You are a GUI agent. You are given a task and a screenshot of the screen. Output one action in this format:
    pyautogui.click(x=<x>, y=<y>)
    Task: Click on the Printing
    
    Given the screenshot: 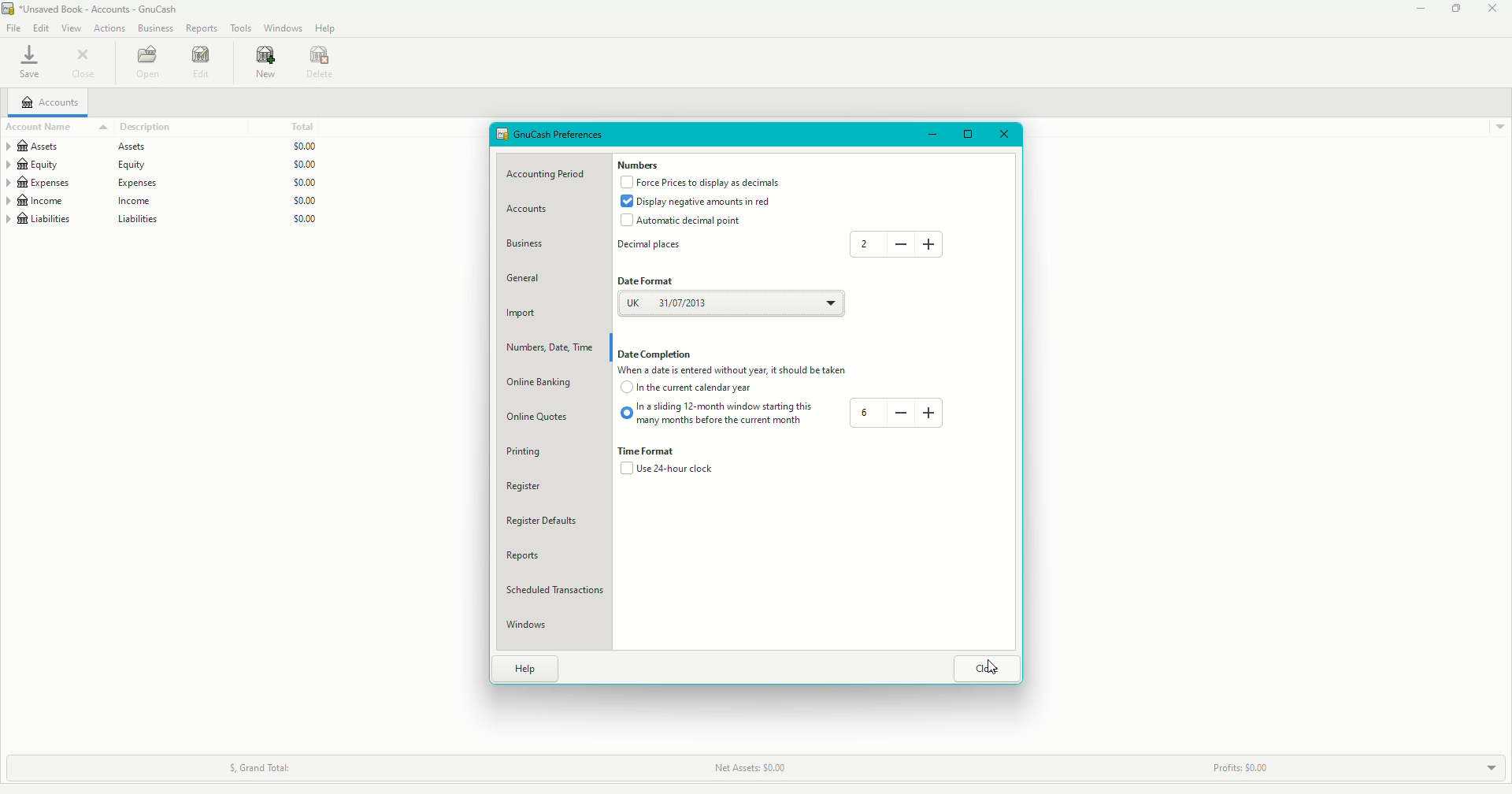 What is the action you would take?
    pyautogui.click(x=528, y=451)
    